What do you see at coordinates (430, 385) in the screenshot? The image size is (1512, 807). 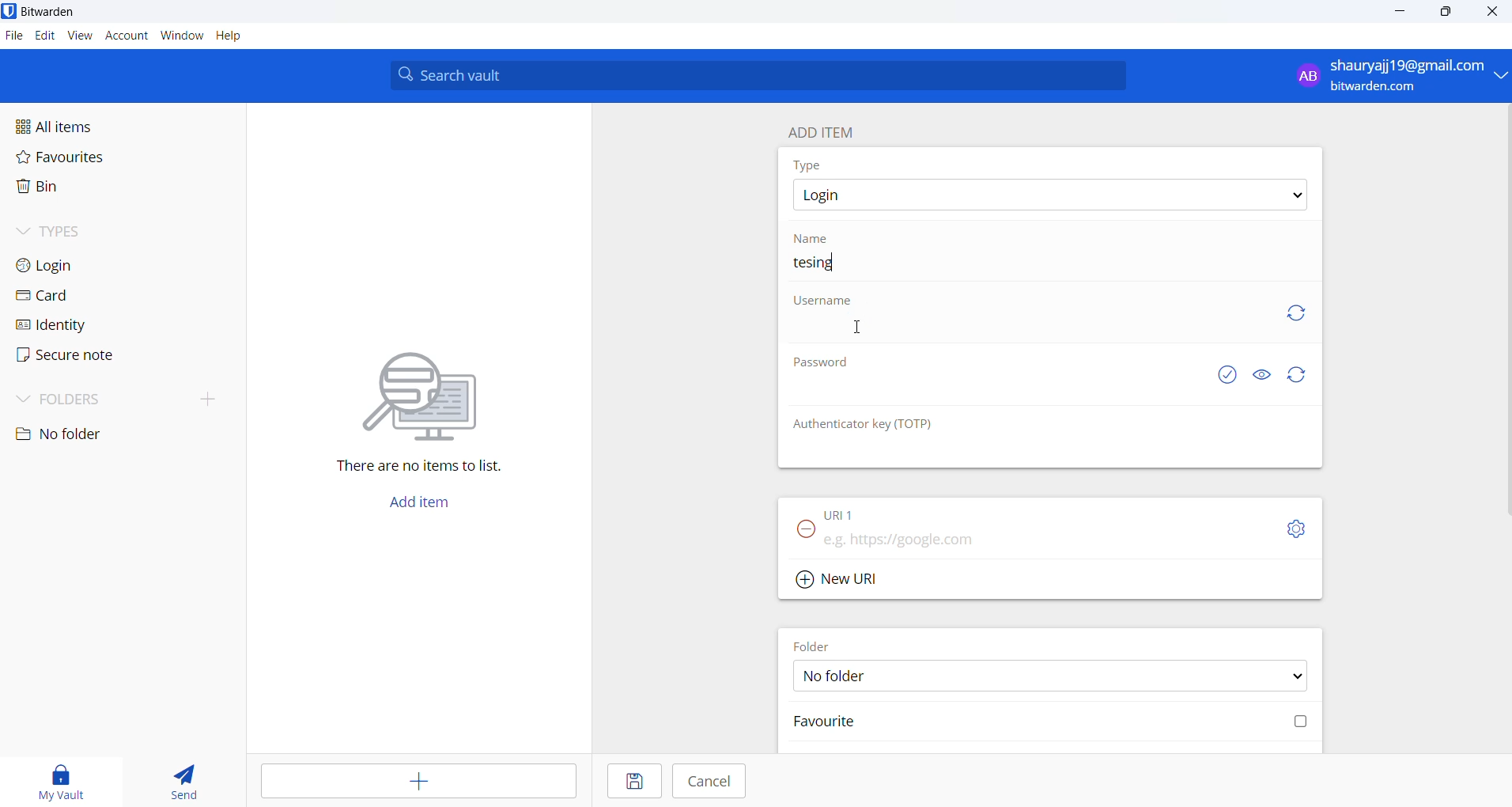 I see `vector image representing searching for file` at bounding box center [430, 385].